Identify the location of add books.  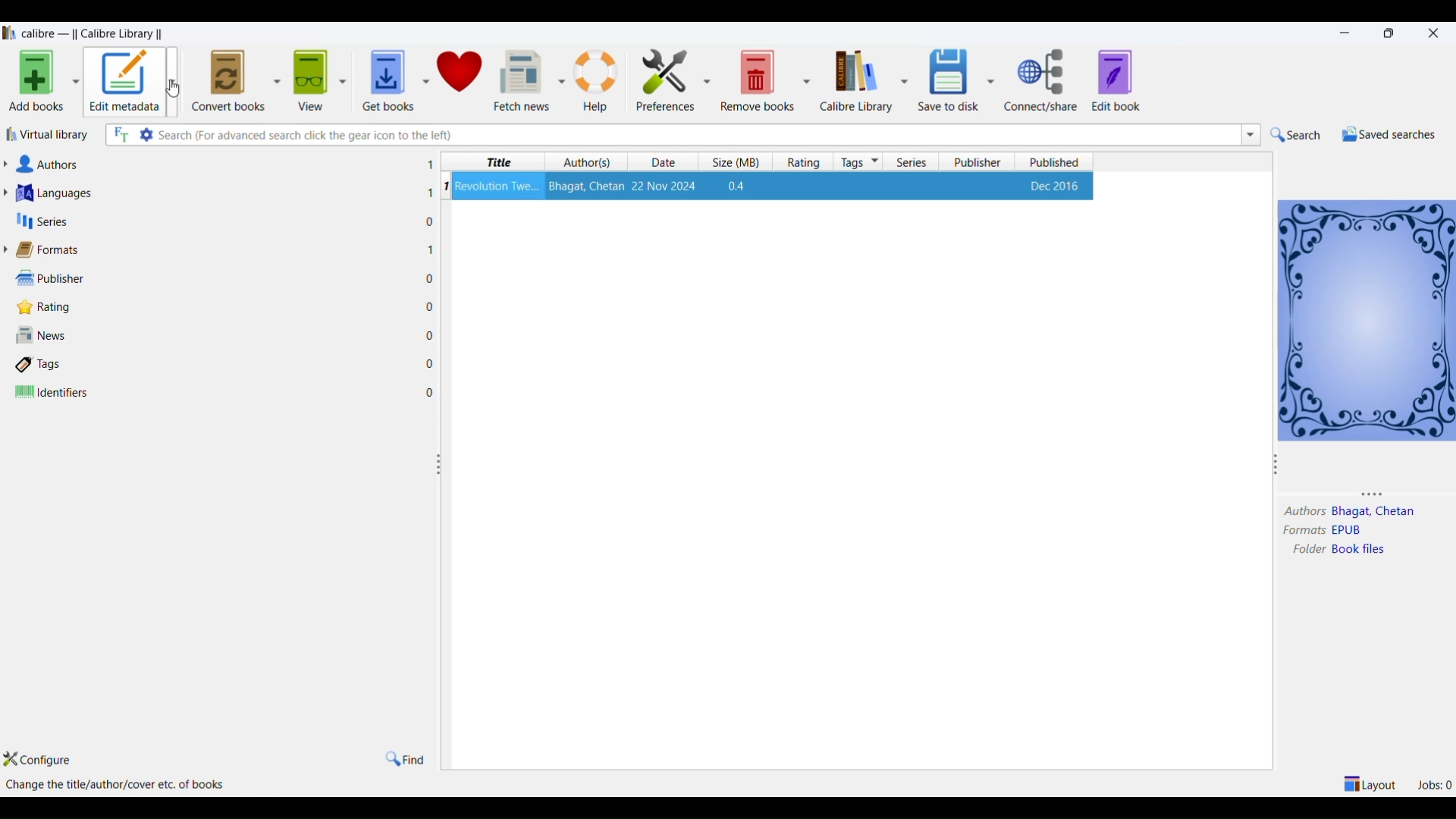
(33, 83).